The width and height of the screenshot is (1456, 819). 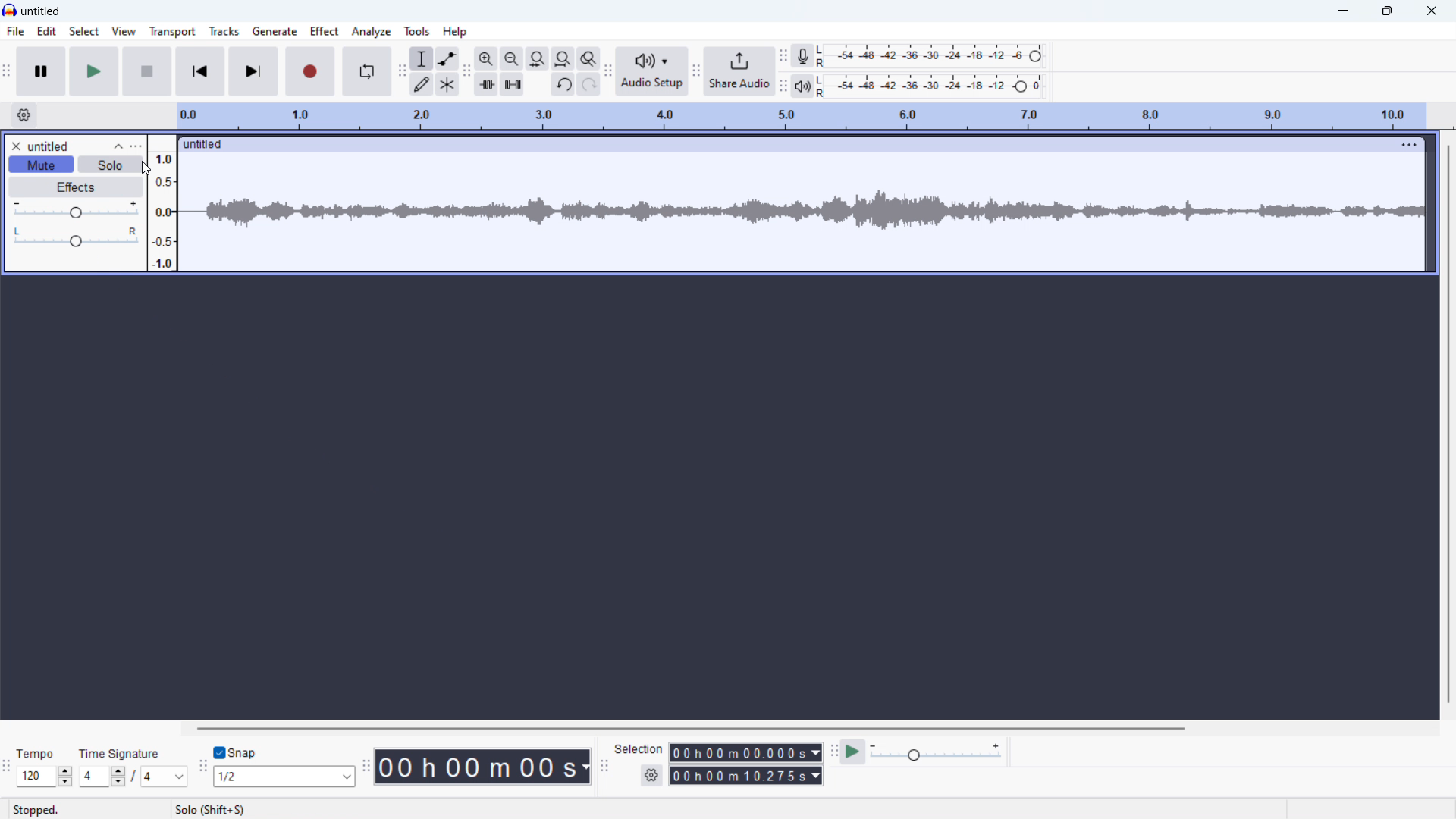 What do you see at coordinates (225, 30) in the screenshot?
I see `tracks` at bounding box center [225, 30].